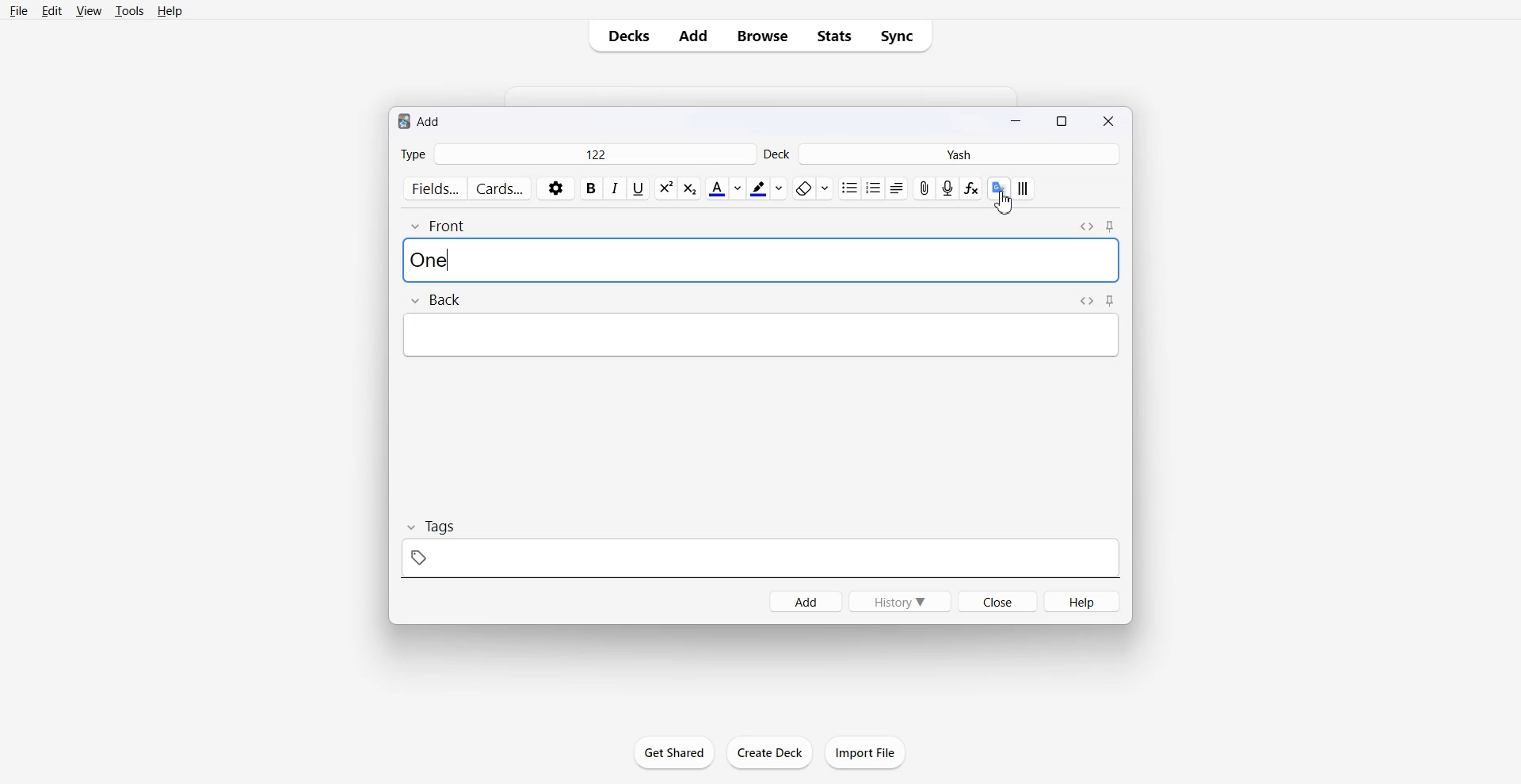 The width and height of the screenshot is (1521, 784). What do you see at coordinates (763, 36) in the screenshot?
I see `Browse` at bounding box center [763, 36].